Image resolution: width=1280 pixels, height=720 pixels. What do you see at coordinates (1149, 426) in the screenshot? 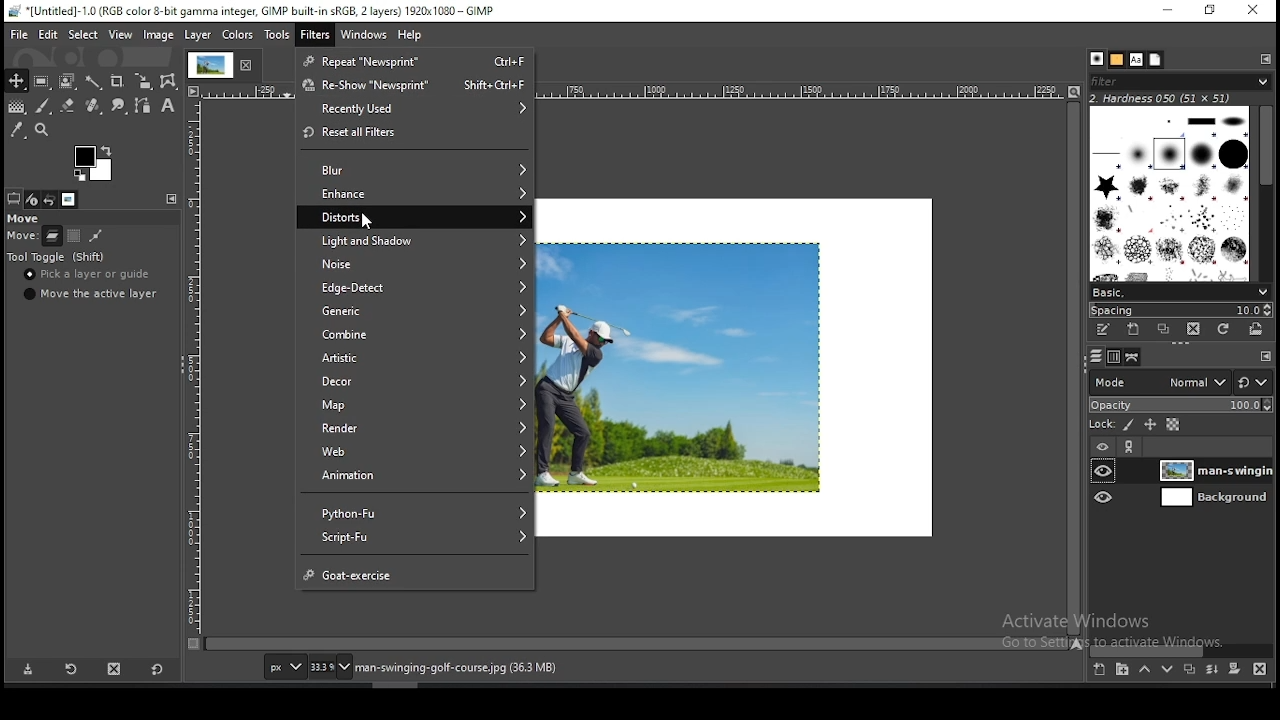
I see `lock position and size` at bounding box center [1149, 426].